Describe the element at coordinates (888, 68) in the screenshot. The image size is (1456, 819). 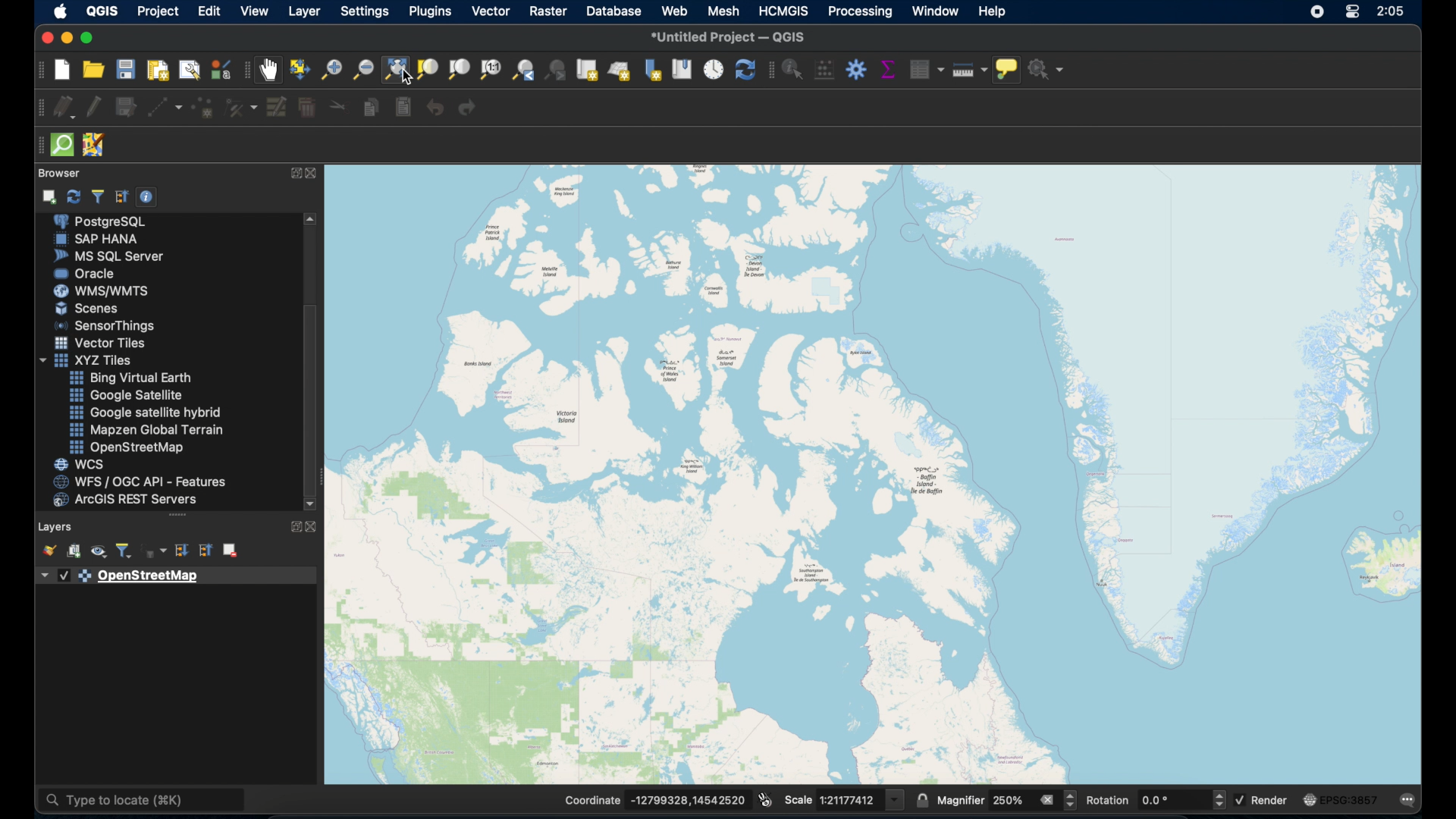
I see `show  statistical summary` at that location.